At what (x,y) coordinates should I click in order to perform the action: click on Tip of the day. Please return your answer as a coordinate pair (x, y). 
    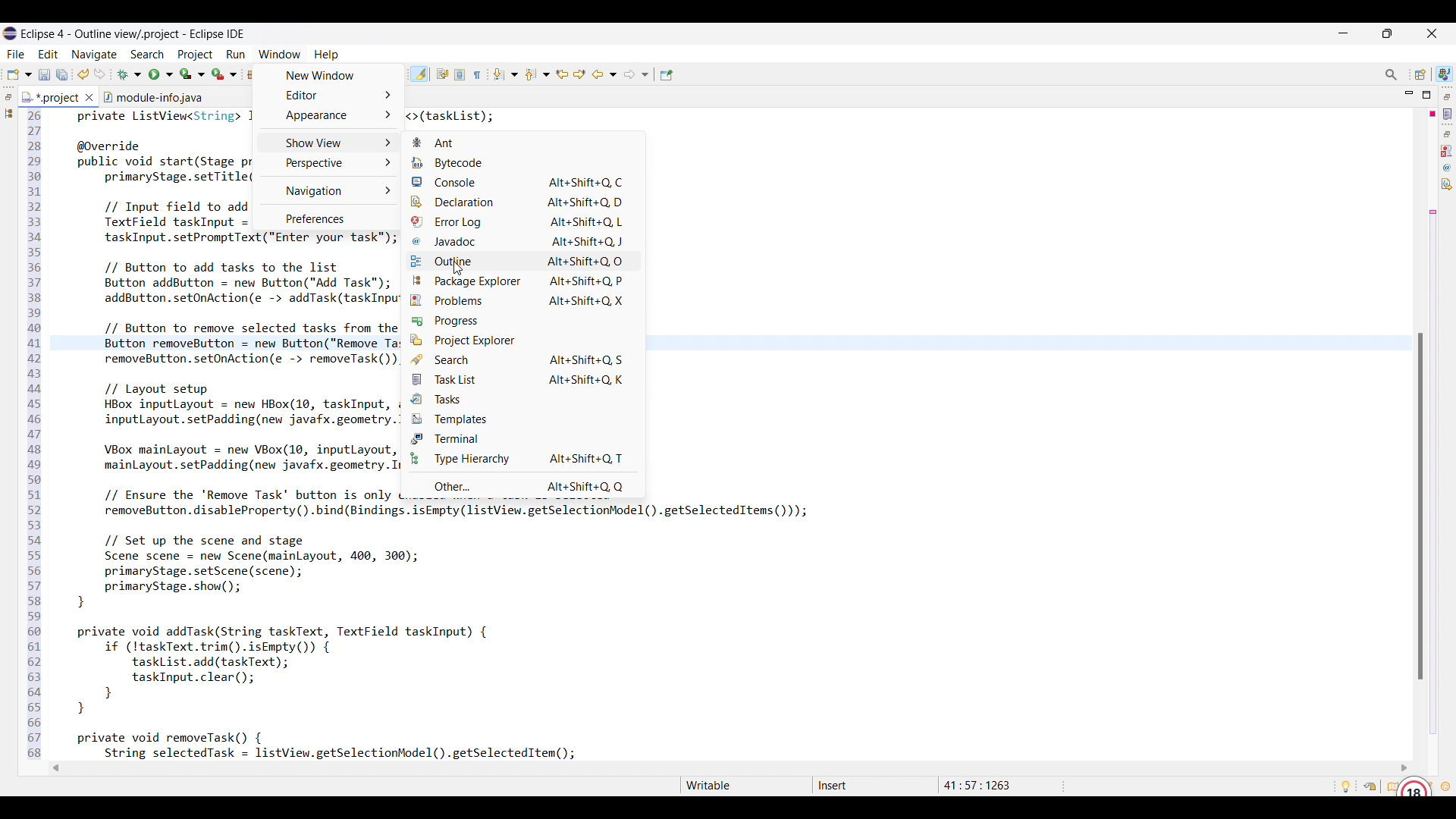
    Looking at the image, I should click on (1346, 786).